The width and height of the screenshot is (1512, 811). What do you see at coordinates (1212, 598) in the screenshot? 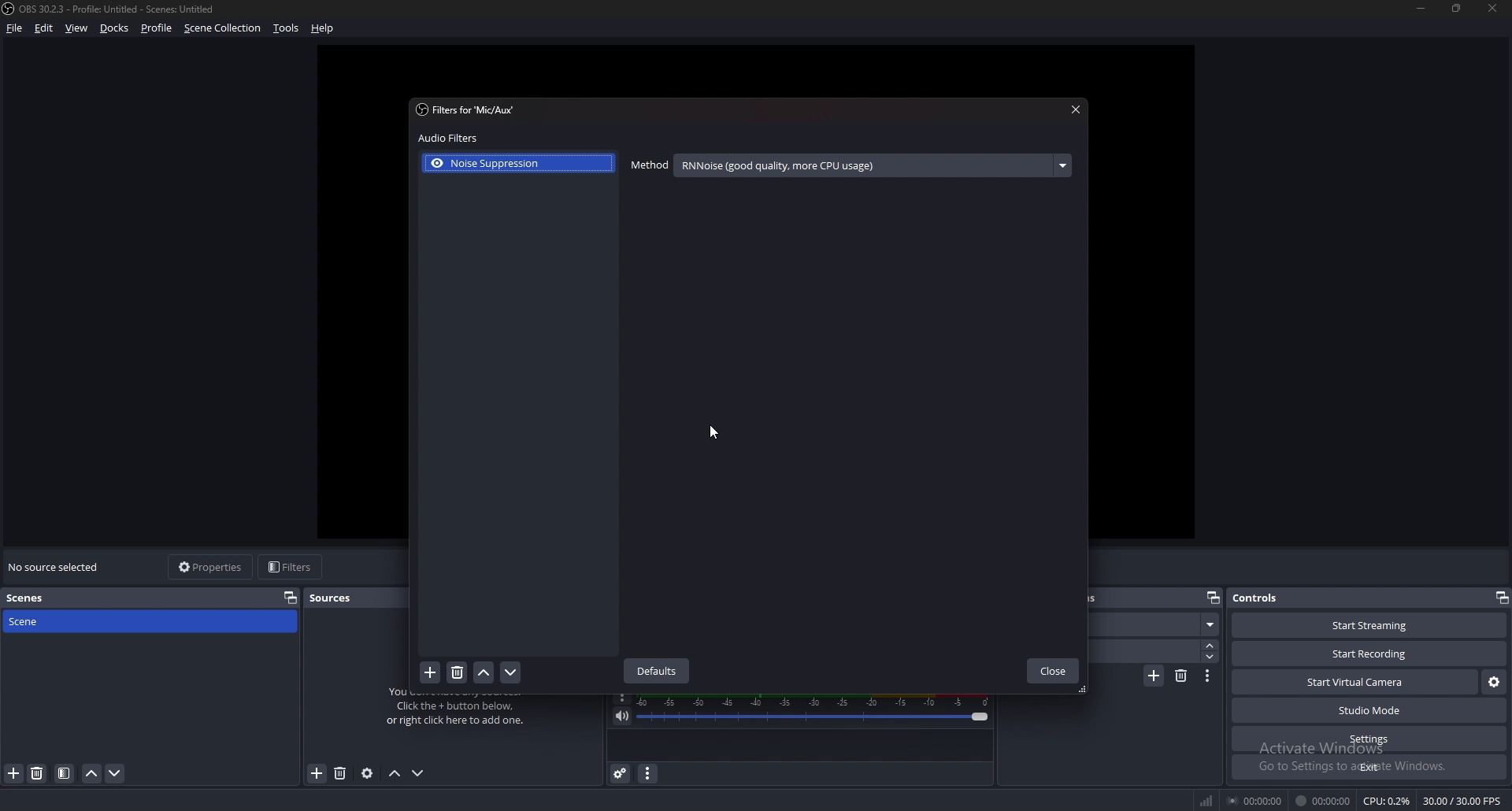
I see `pop out` at bounding box center [1212, 598].